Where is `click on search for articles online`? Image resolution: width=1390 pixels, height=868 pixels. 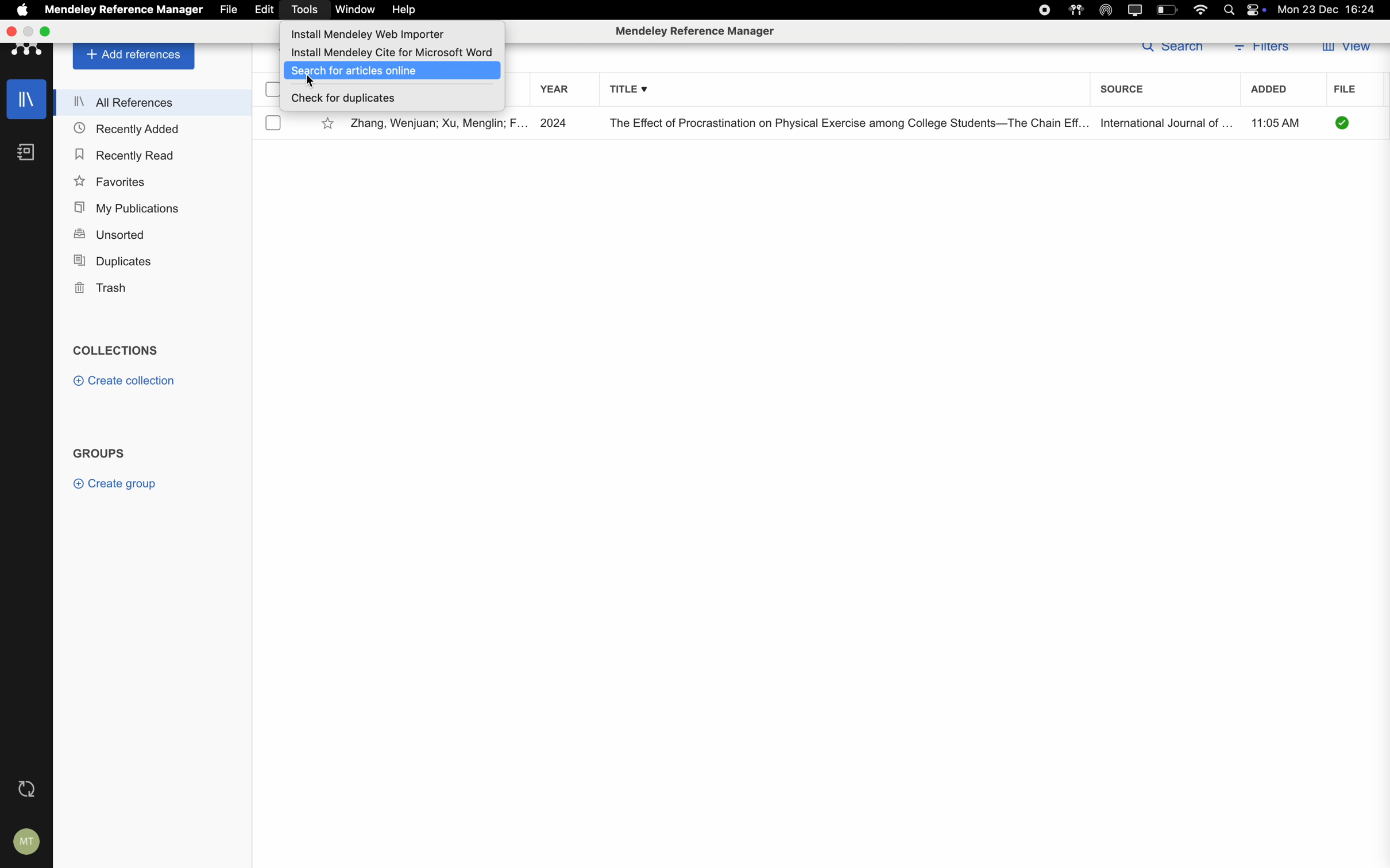
click on search for articles online is located at coordinates (395, 74).